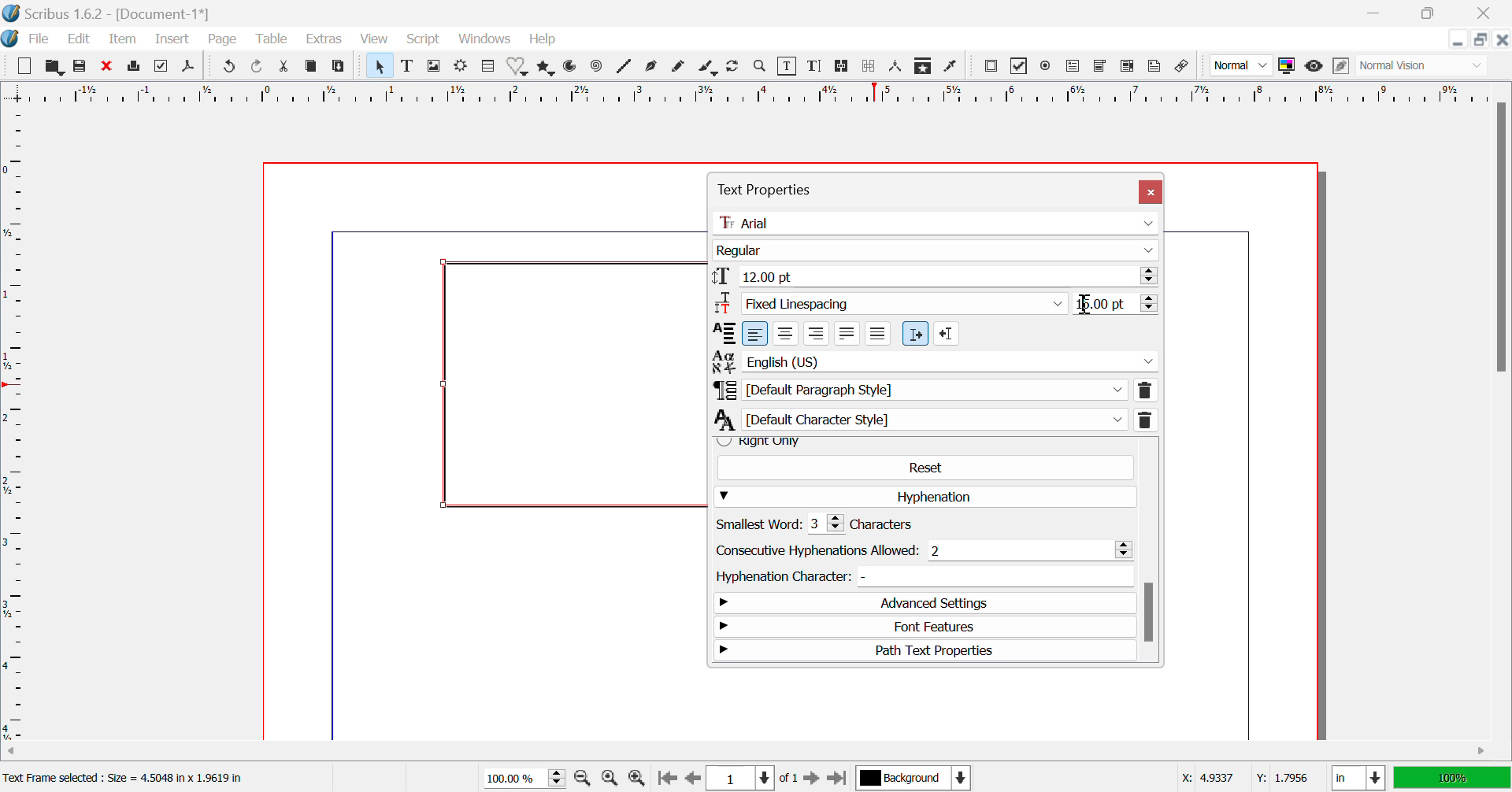 The image size is (1512, 792). Describe the element at coordinates (107, 66) in the screenshot. I see `Discard` at that location.